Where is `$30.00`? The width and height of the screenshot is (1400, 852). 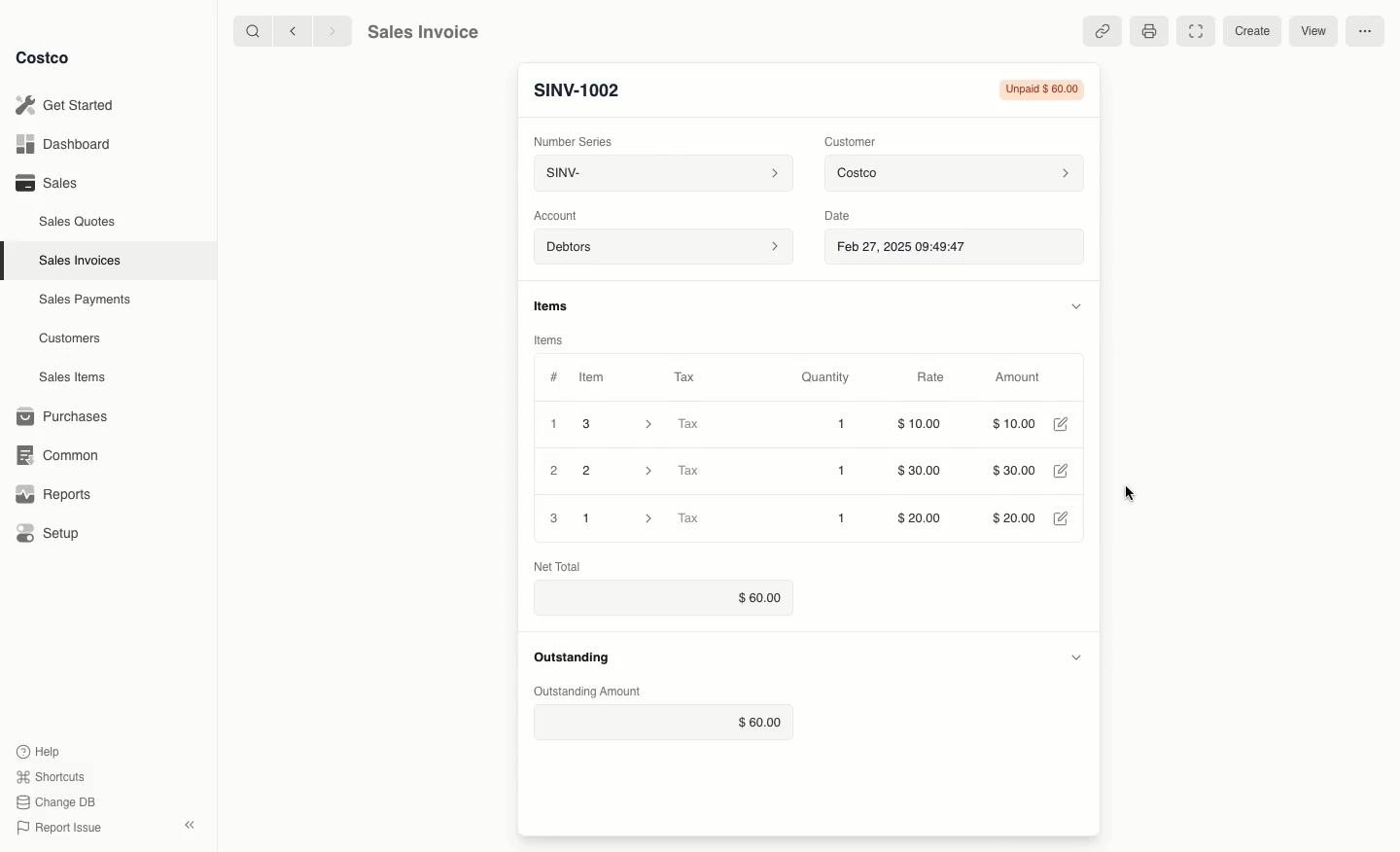
$30.00 is located at coordinates (1004, 472).